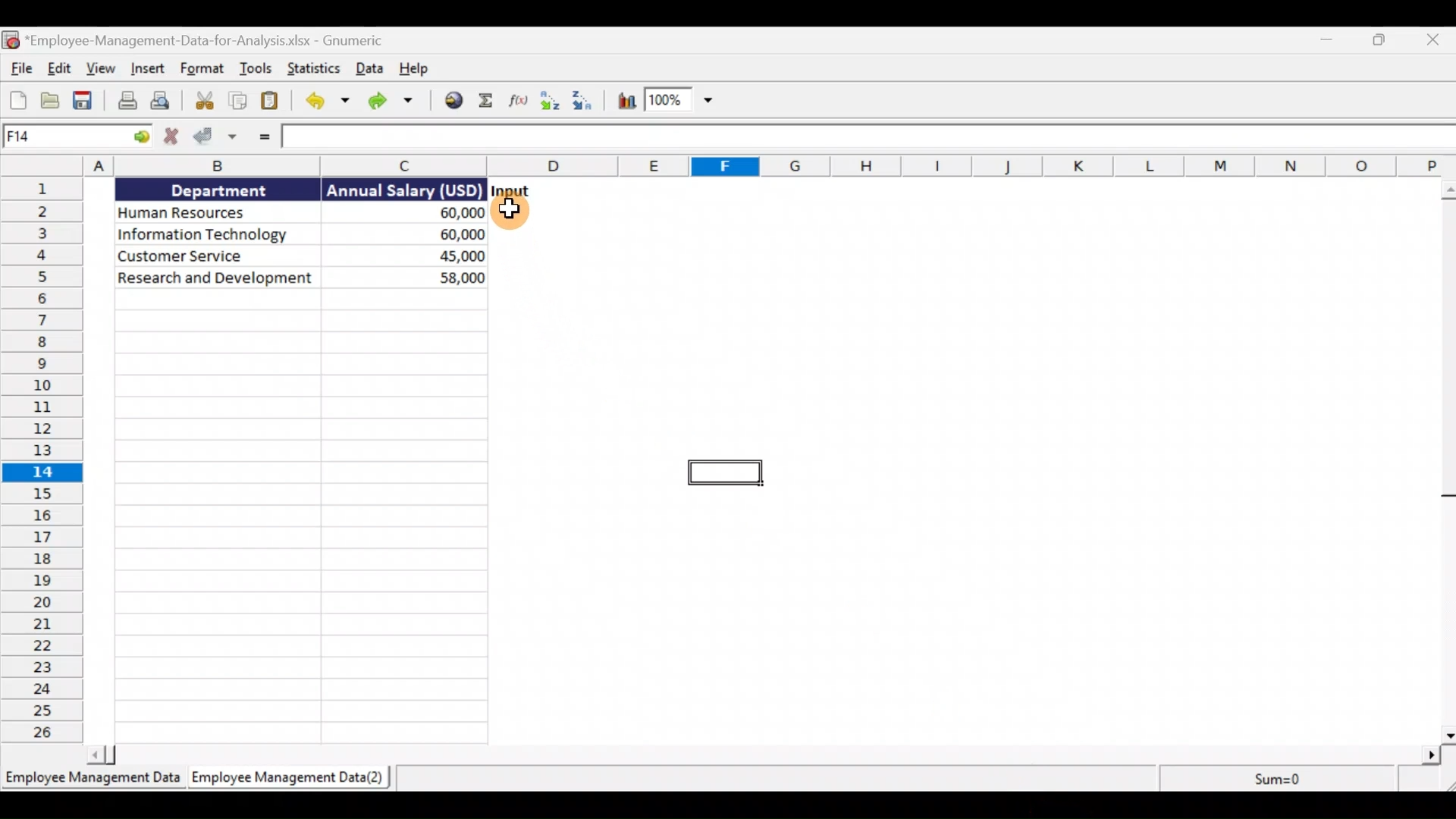  Describe the element at coordinates (726, 472) in the screenshot. I see `selected cell` at that location.